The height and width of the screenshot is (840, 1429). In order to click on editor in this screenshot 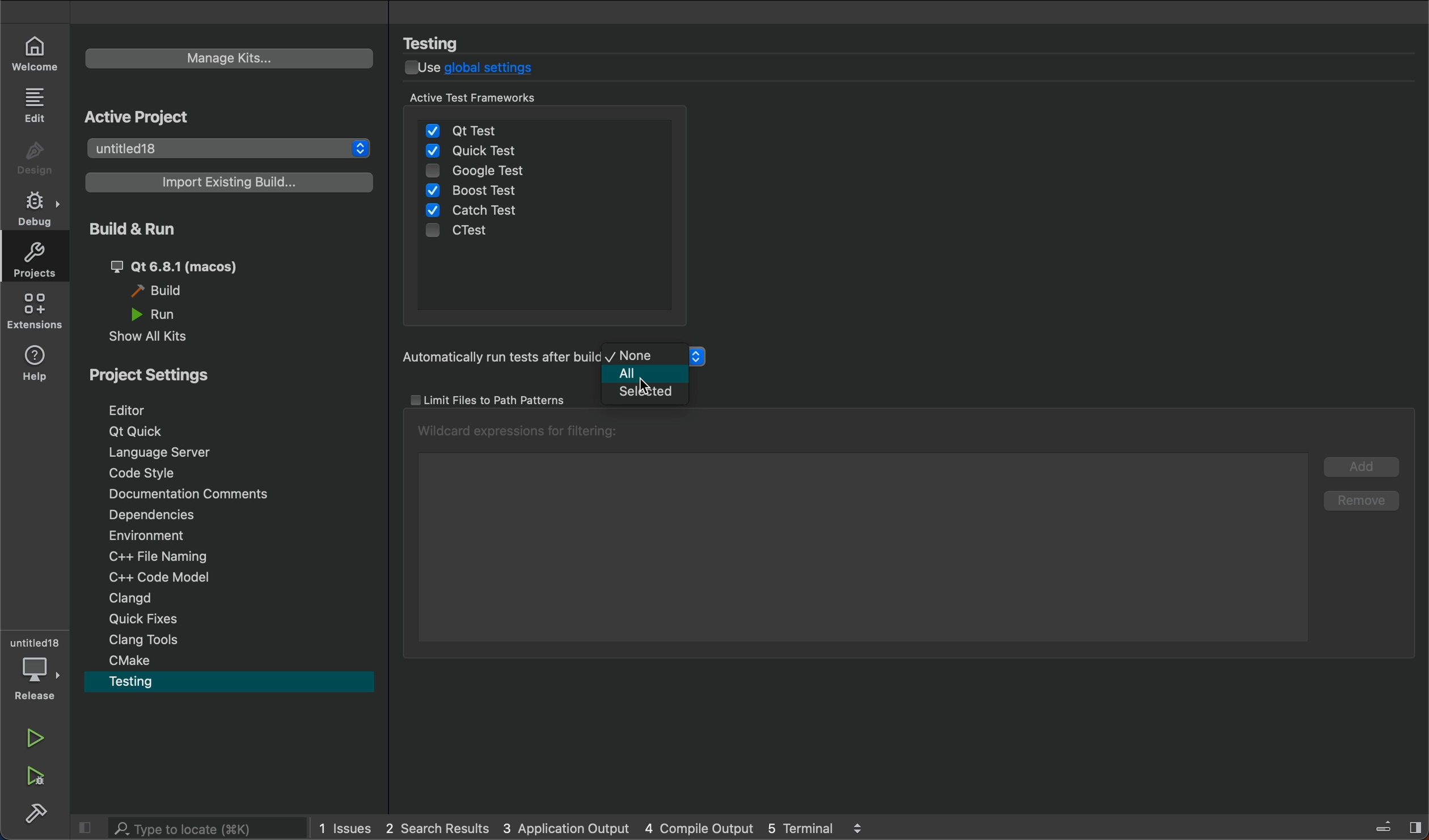, I will do `click(141, 410)`.